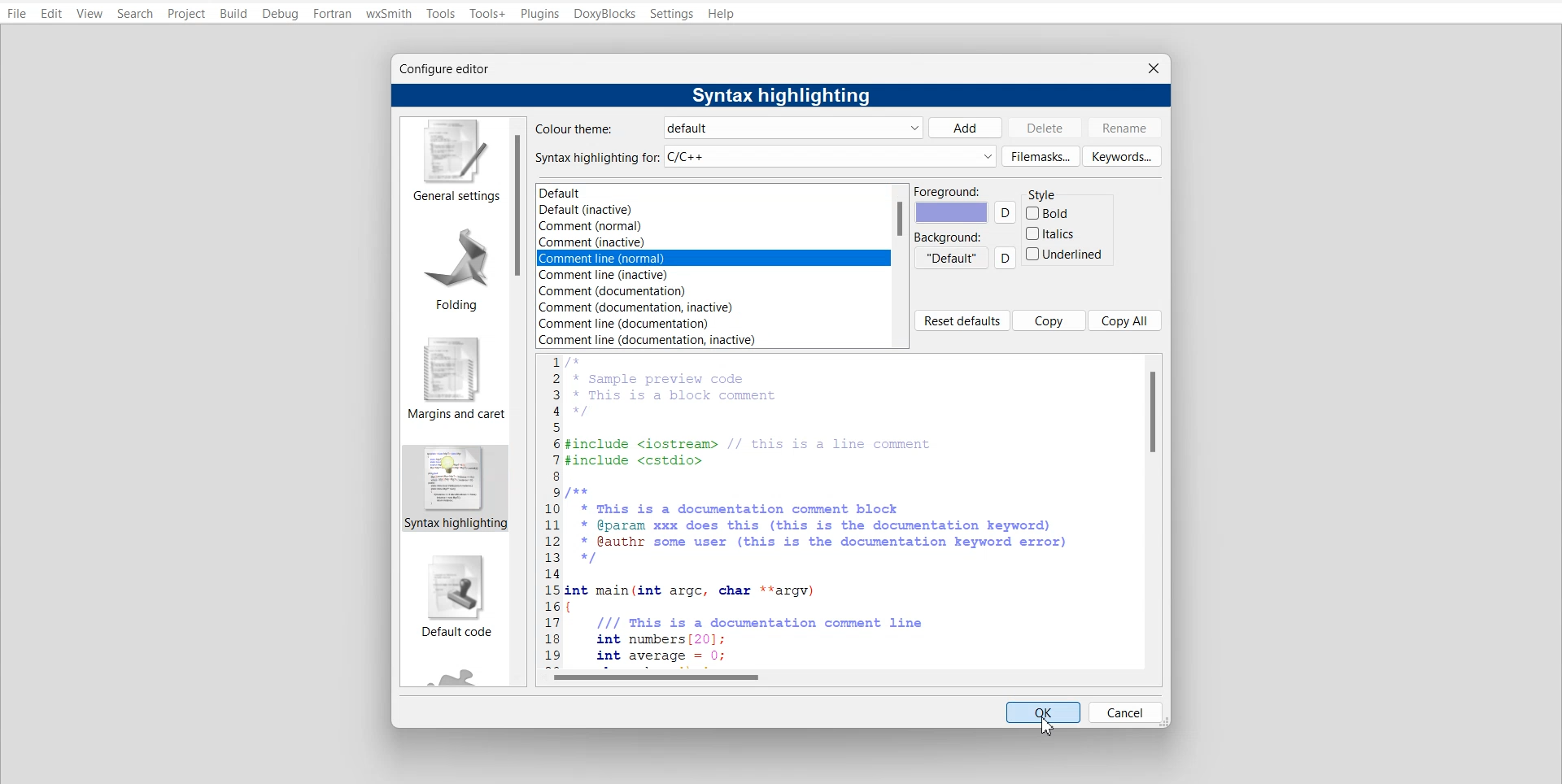 The height and width of the screenshot is (784, 1562). I want to click on Horizontal scroll bar, so click(840, 677).